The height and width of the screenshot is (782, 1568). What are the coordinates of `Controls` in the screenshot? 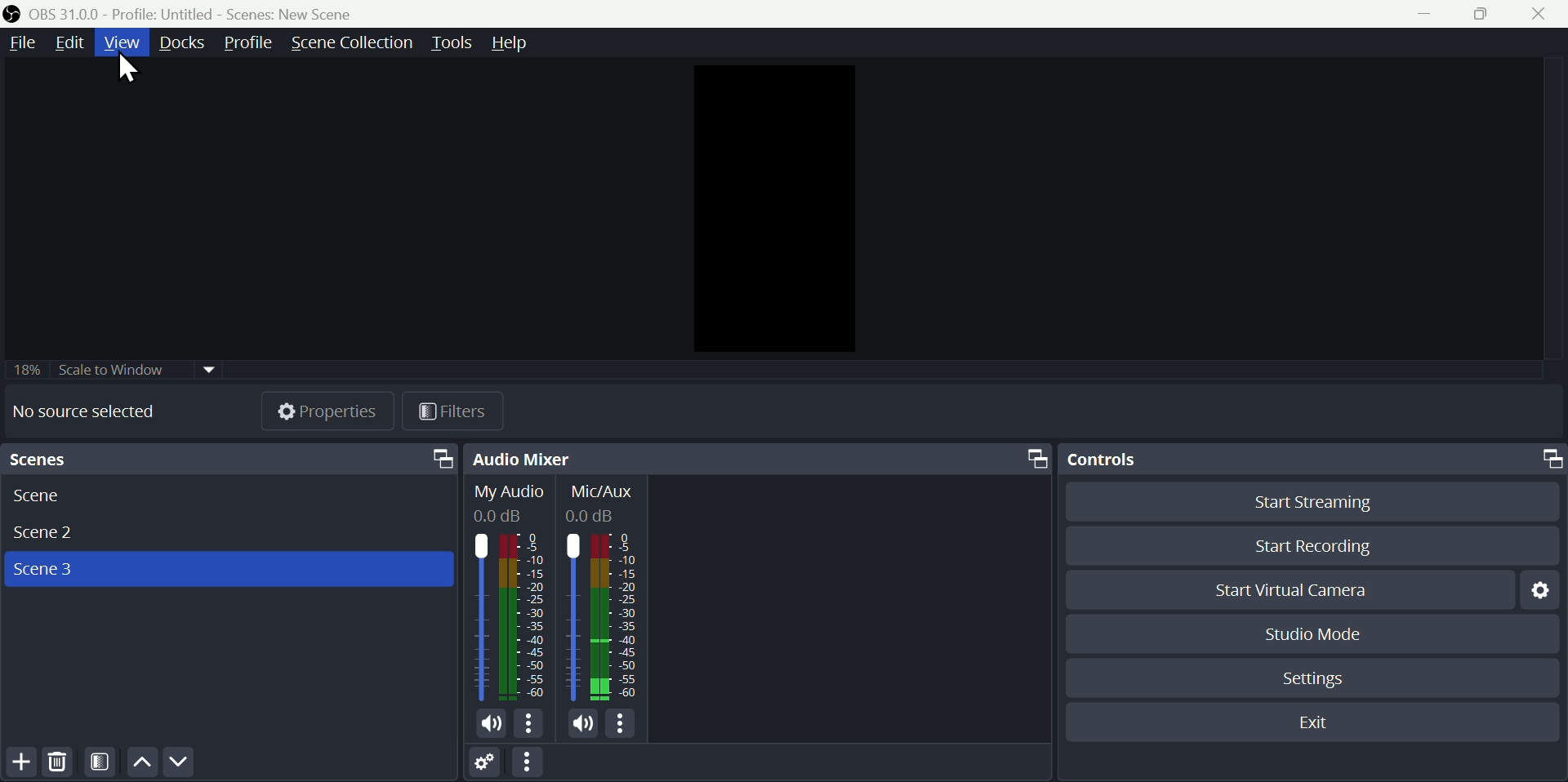 It's located at (1312, 460).